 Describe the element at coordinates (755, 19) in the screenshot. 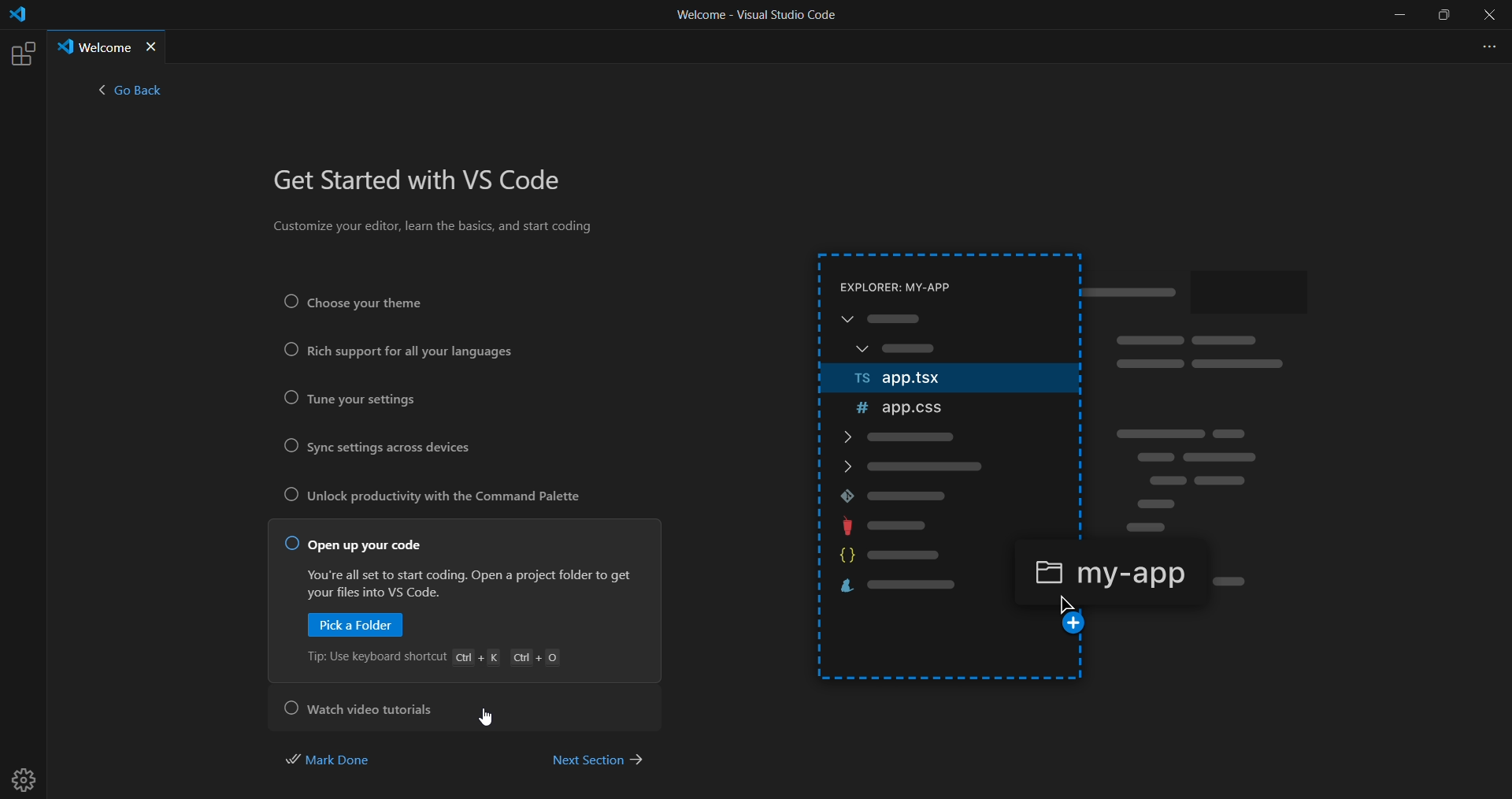

I see `Welcome - Visual Studio Code` at that location.